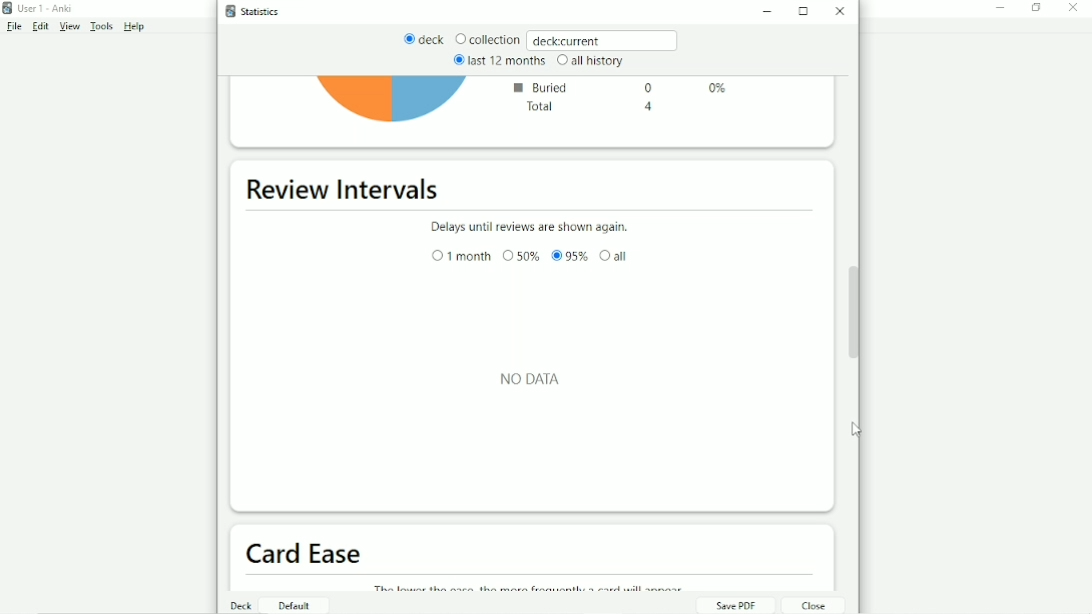 This screenshot has width=1092, height=614. Describe the element at coordinates (41, 27) in the screenshot. I see `Edit` at that location.